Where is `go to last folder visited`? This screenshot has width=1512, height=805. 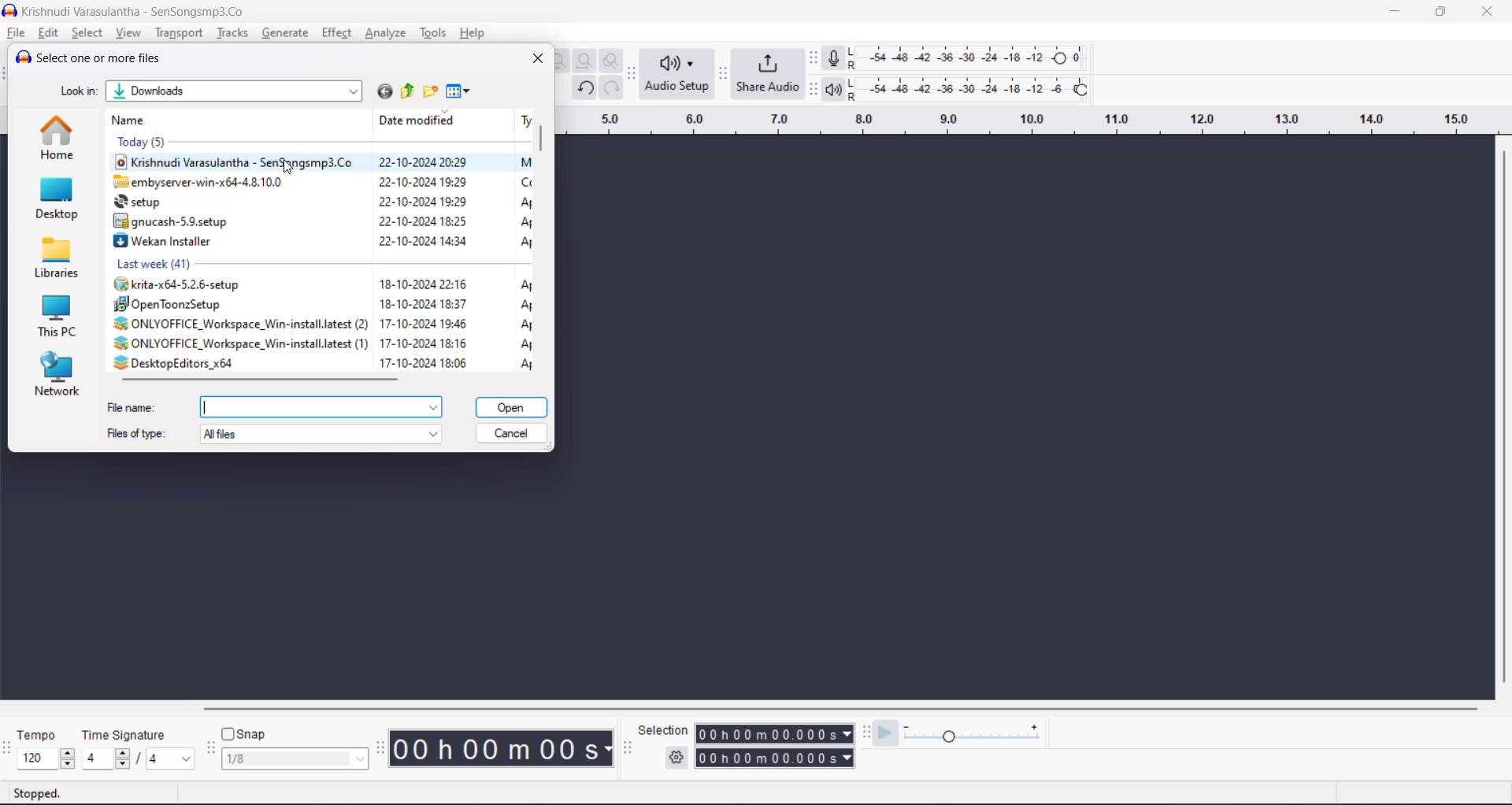
go to last folder visited is located at coordinates (384, 91).